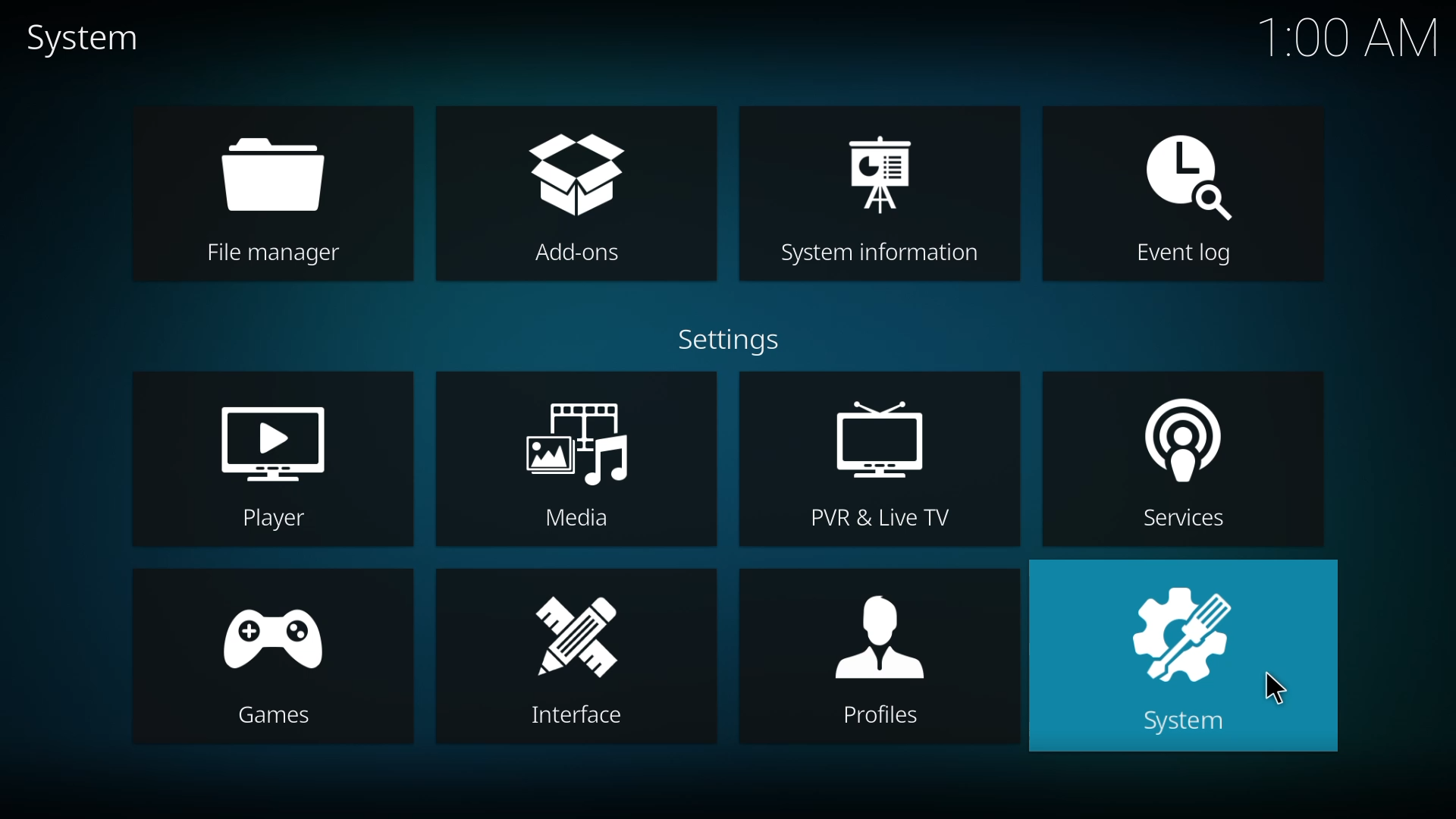 The height and width of the screenshot is (819, 1456). Describe the element at coordinates (585, 654) in the screenshot. I see `interface` at that location.